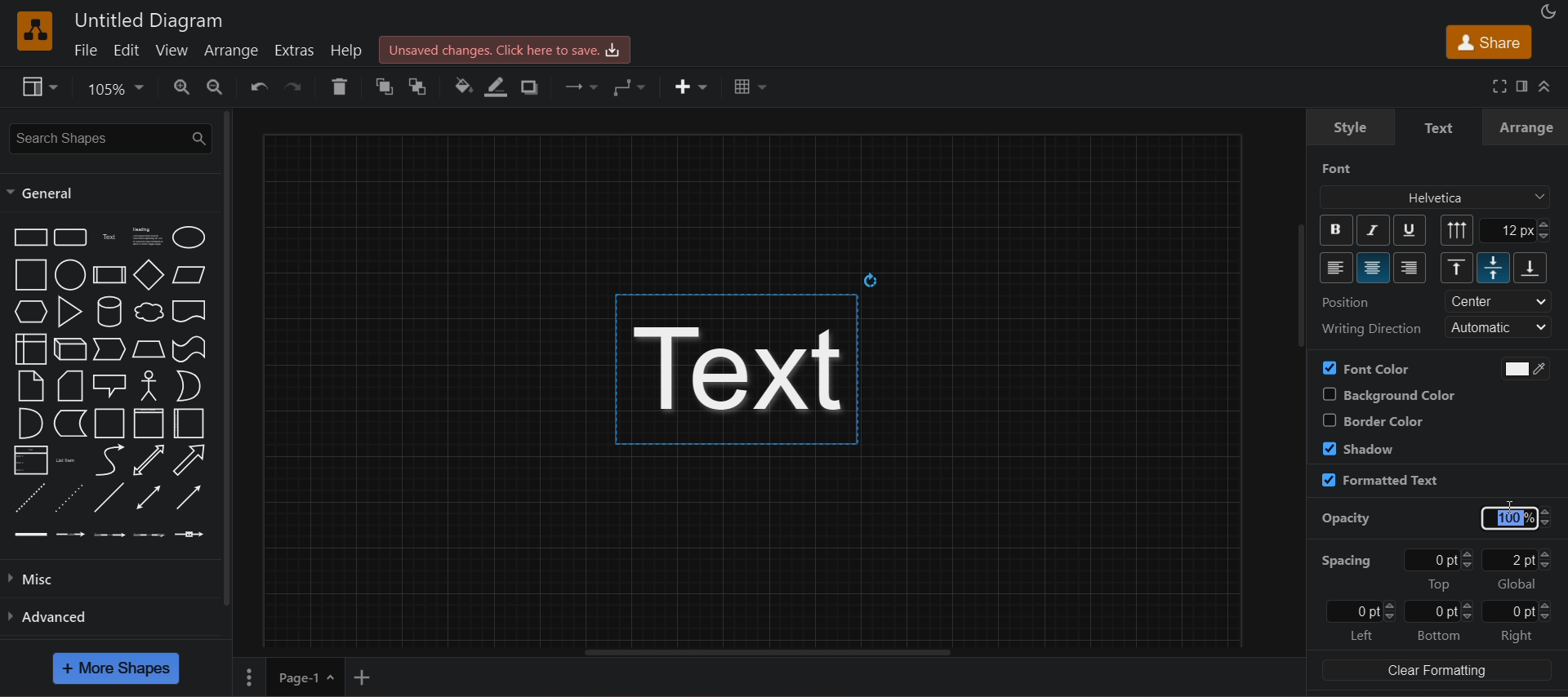 The width and height of the screenshot is (1568, 697). I want to click on process, so click(109, 275).